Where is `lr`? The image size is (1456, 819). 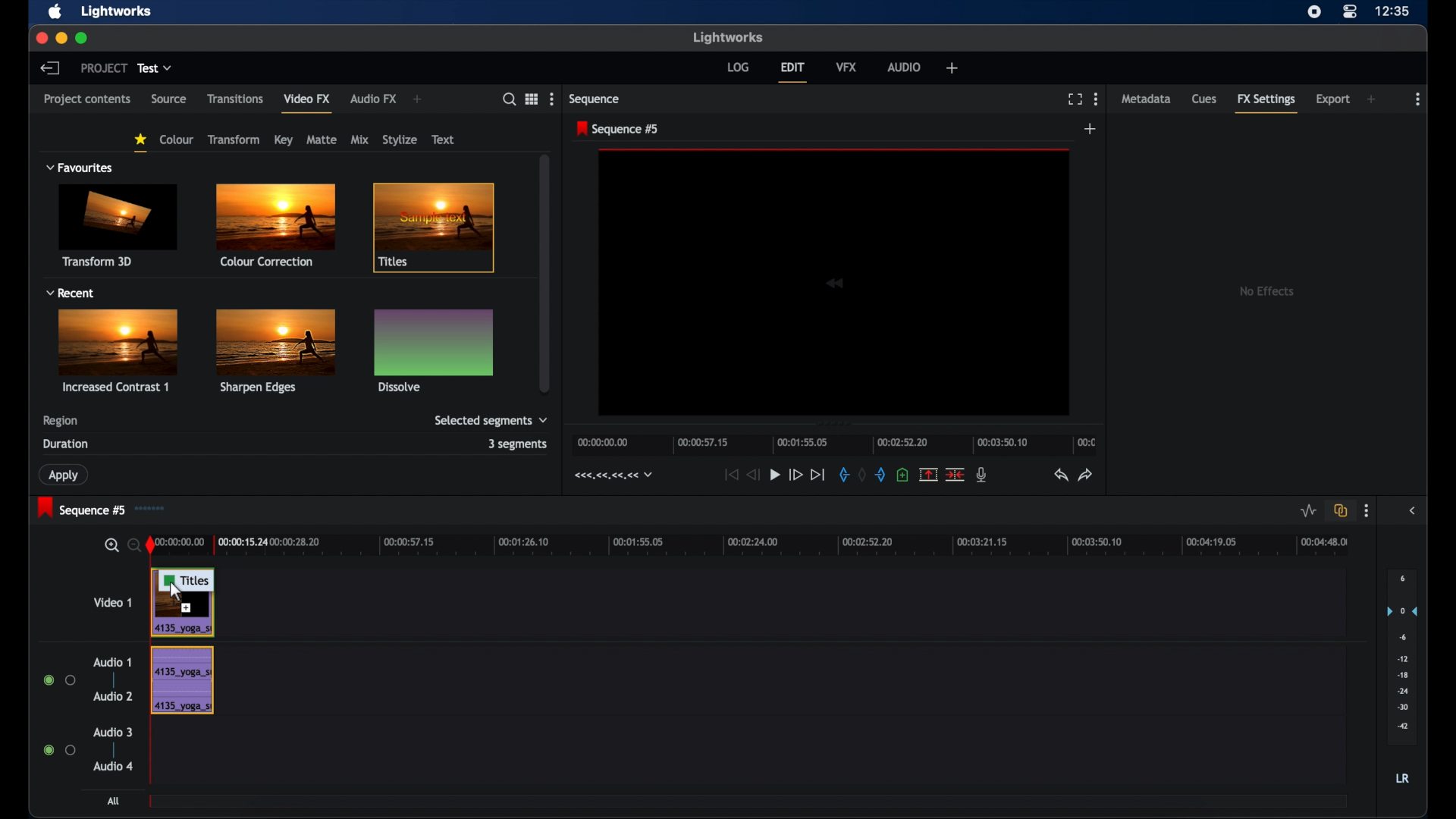 lr is located at coordinates (1402, 780).